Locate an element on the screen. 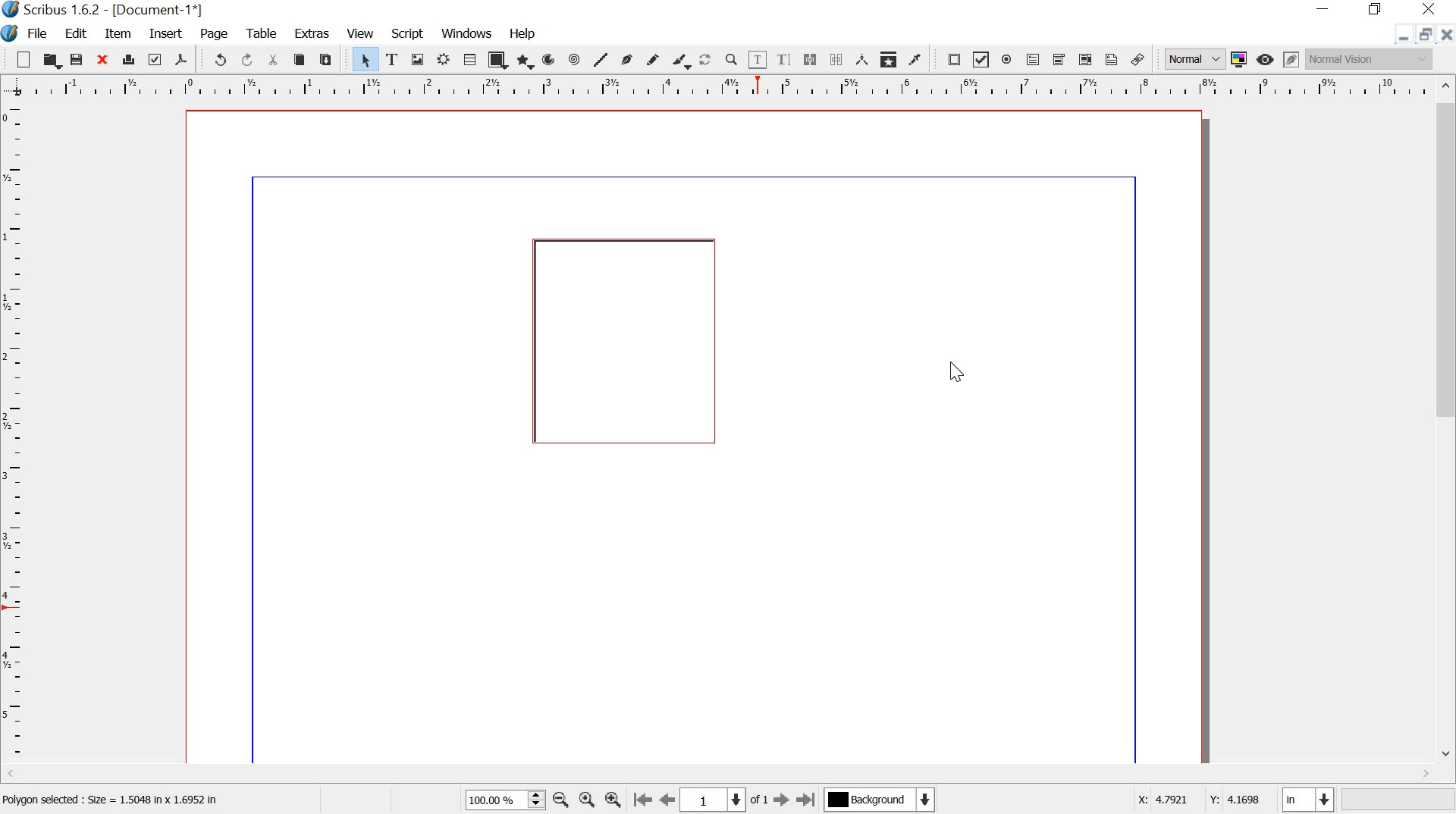 This screenshot has width=1456, height=814. edit contents of frame is located at coordinates (757, 60).